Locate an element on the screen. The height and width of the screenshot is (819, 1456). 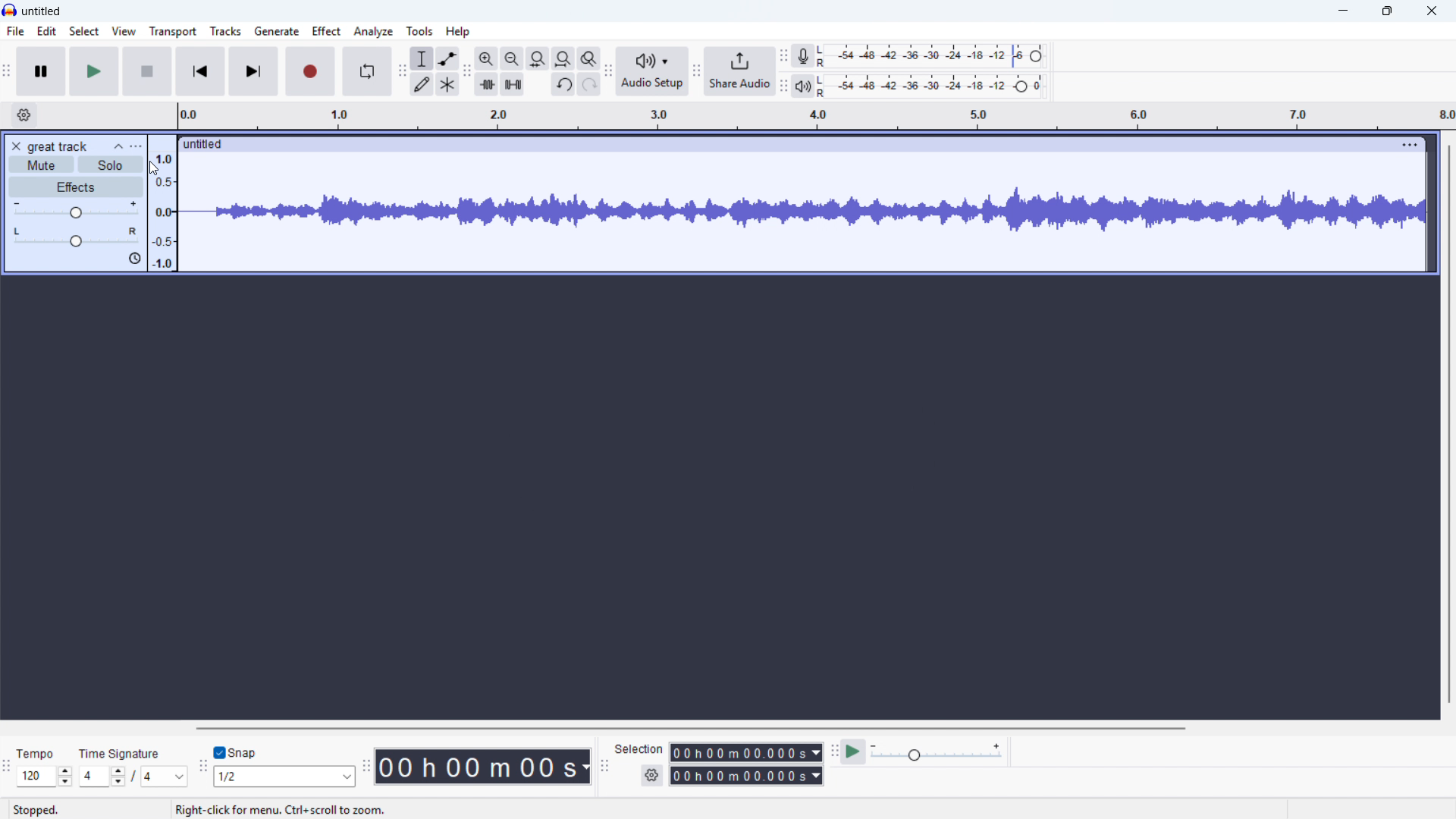
Vertical scroll bar is located at coordinates (1448, 422).